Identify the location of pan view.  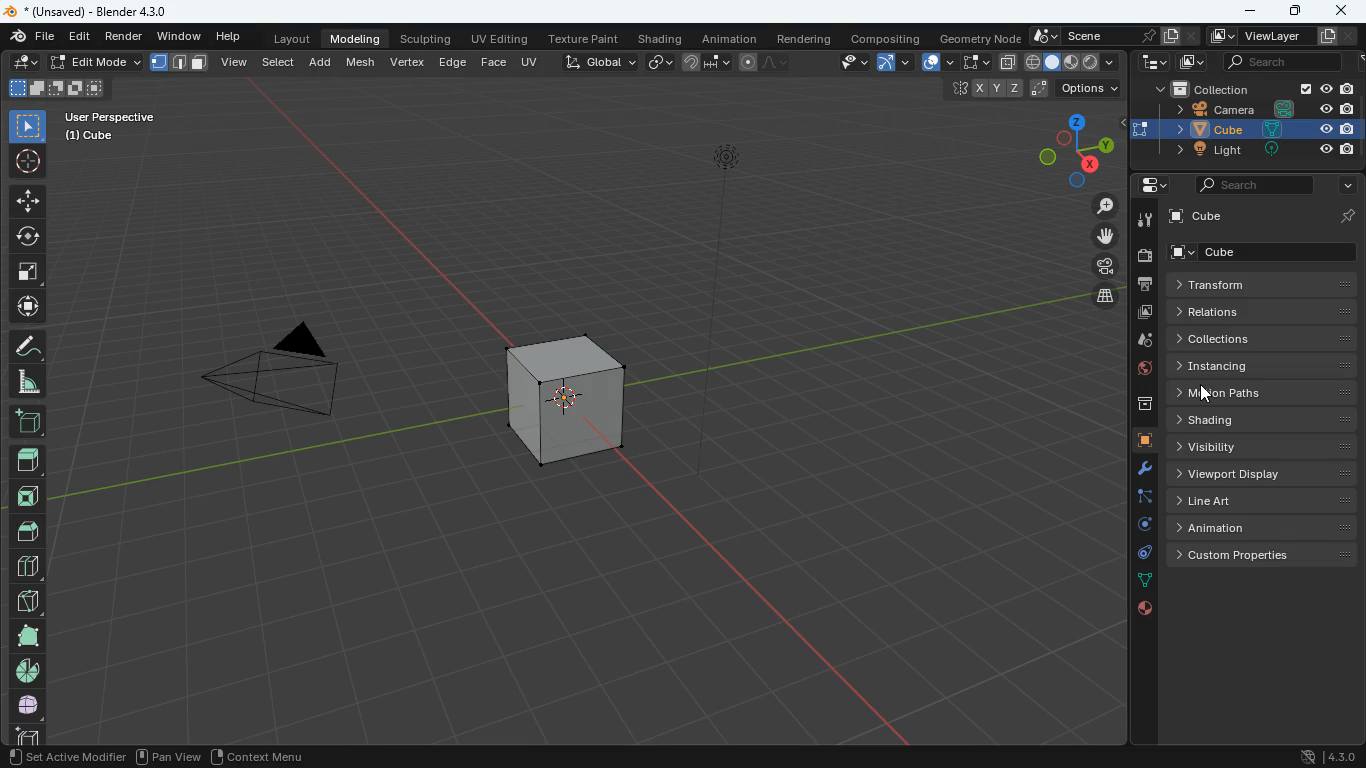
(166, 758).